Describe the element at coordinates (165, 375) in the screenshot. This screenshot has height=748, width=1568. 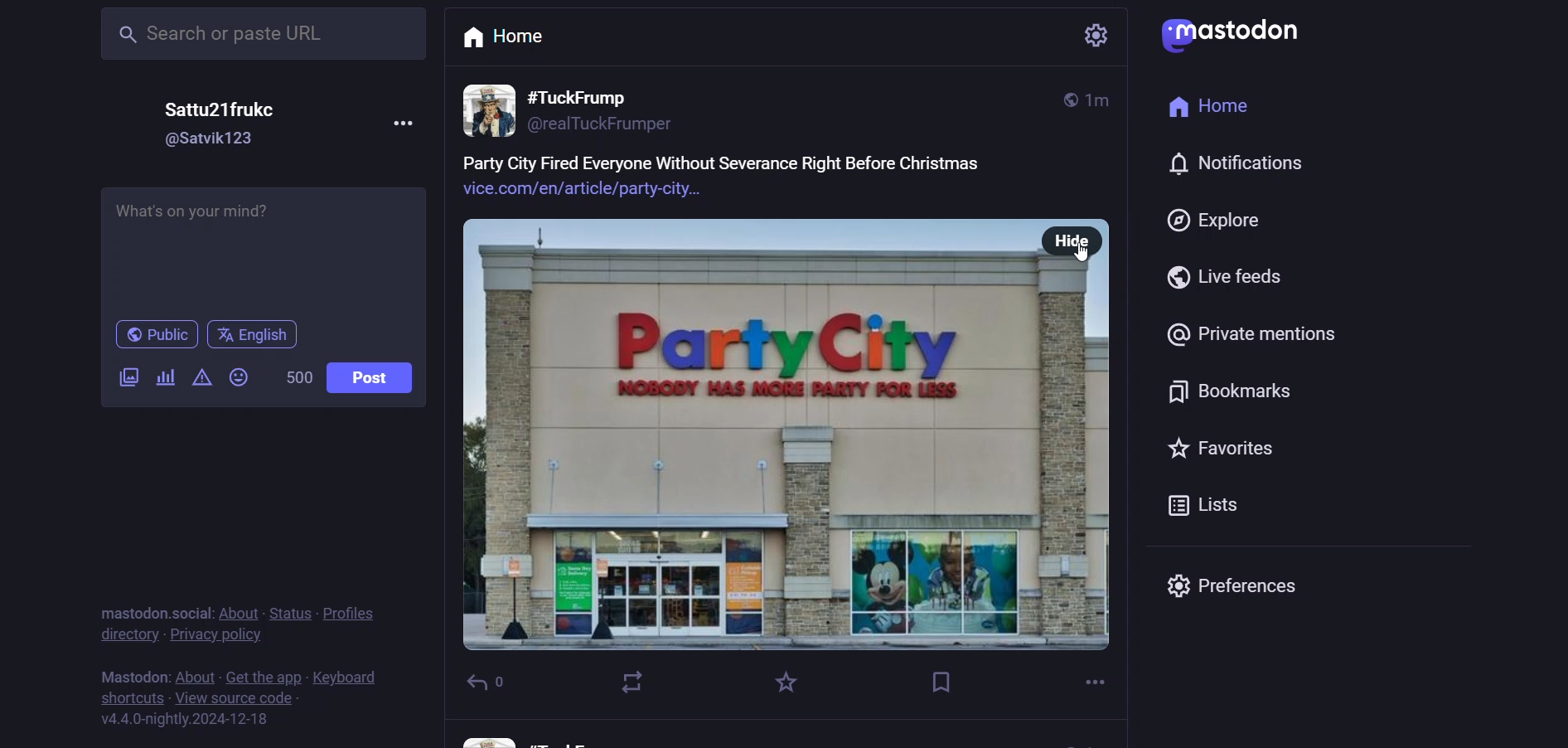
I see `add a poll` at that location.